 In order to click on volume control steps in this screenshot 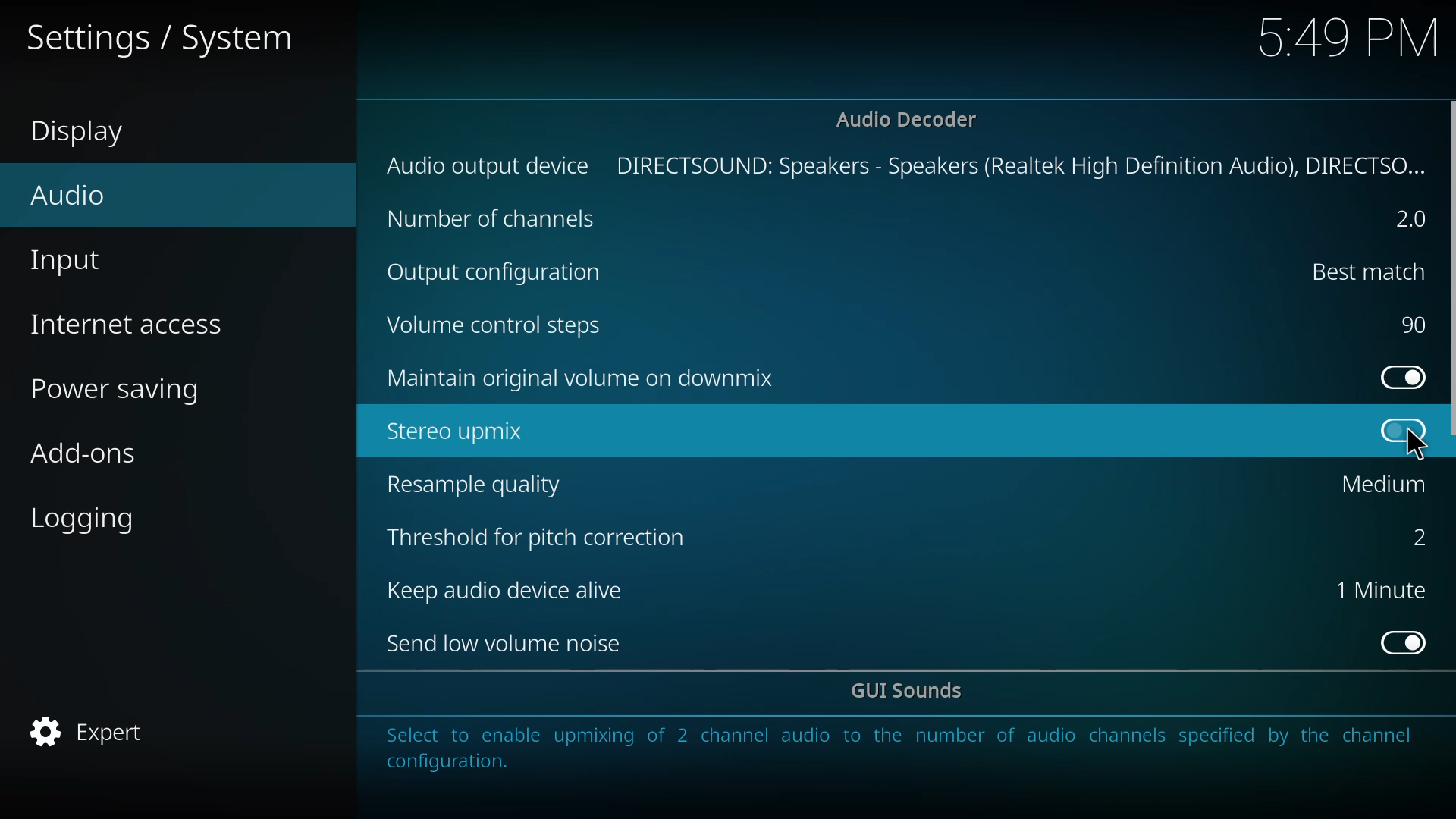, I will do `click(499, 326)`.